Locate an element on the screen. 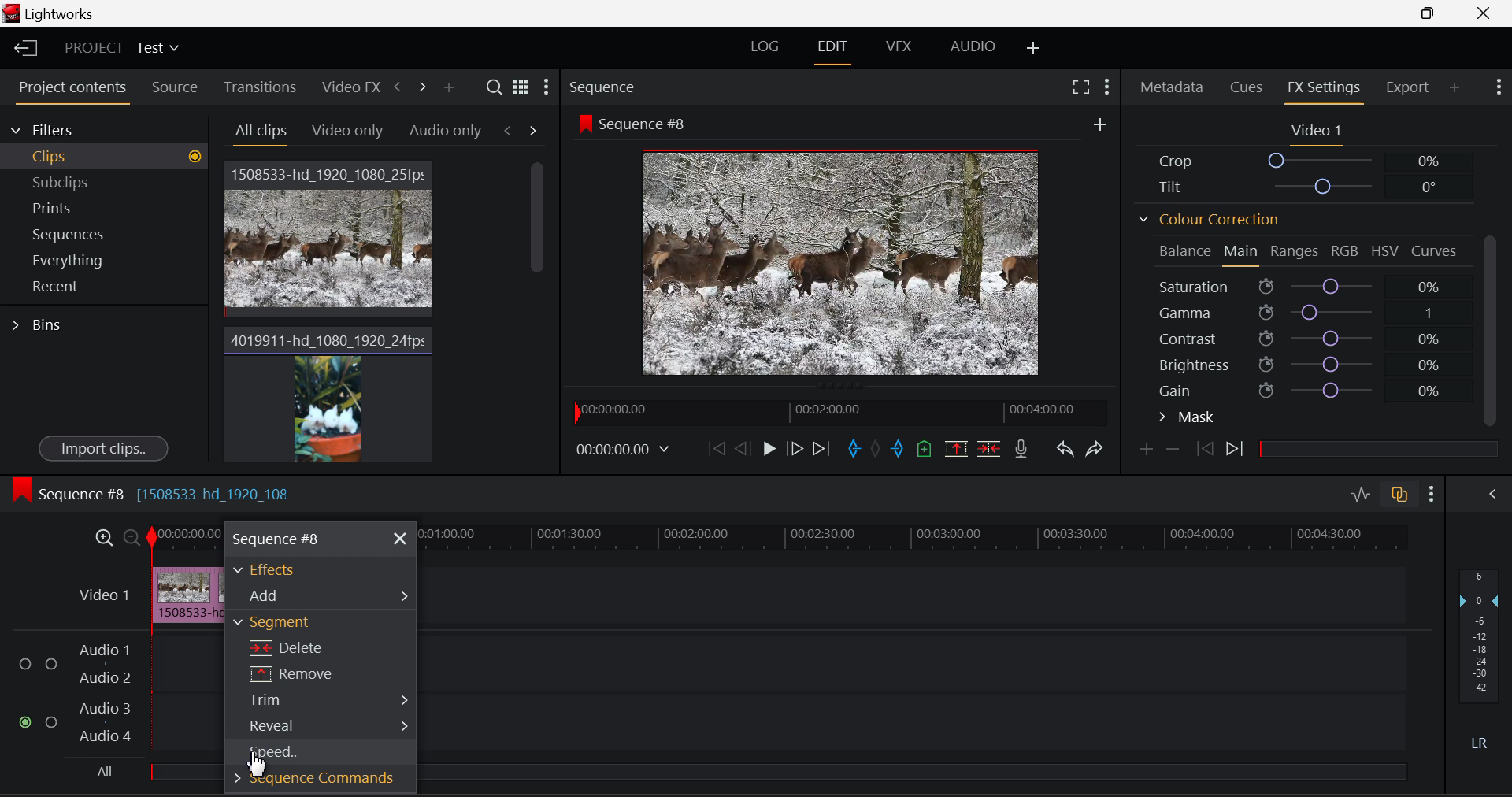 The height and width of the screenshot is (797, 1512). Source Tab is located at coordinates (174, 87).